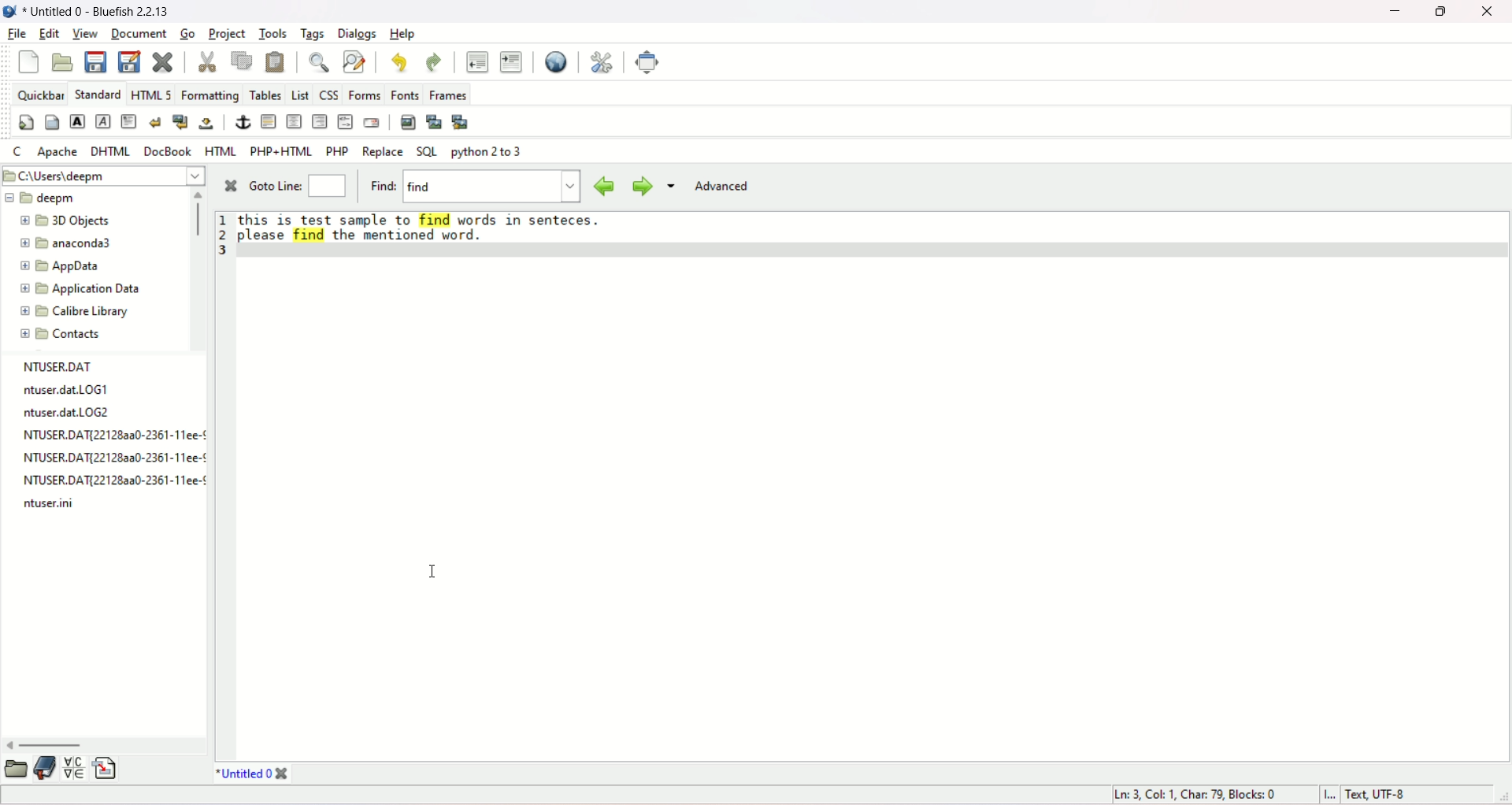  What do you see at coordinates (129, 121) in the screenshot?
I see `paragraph` at bounding box center [129, 121].